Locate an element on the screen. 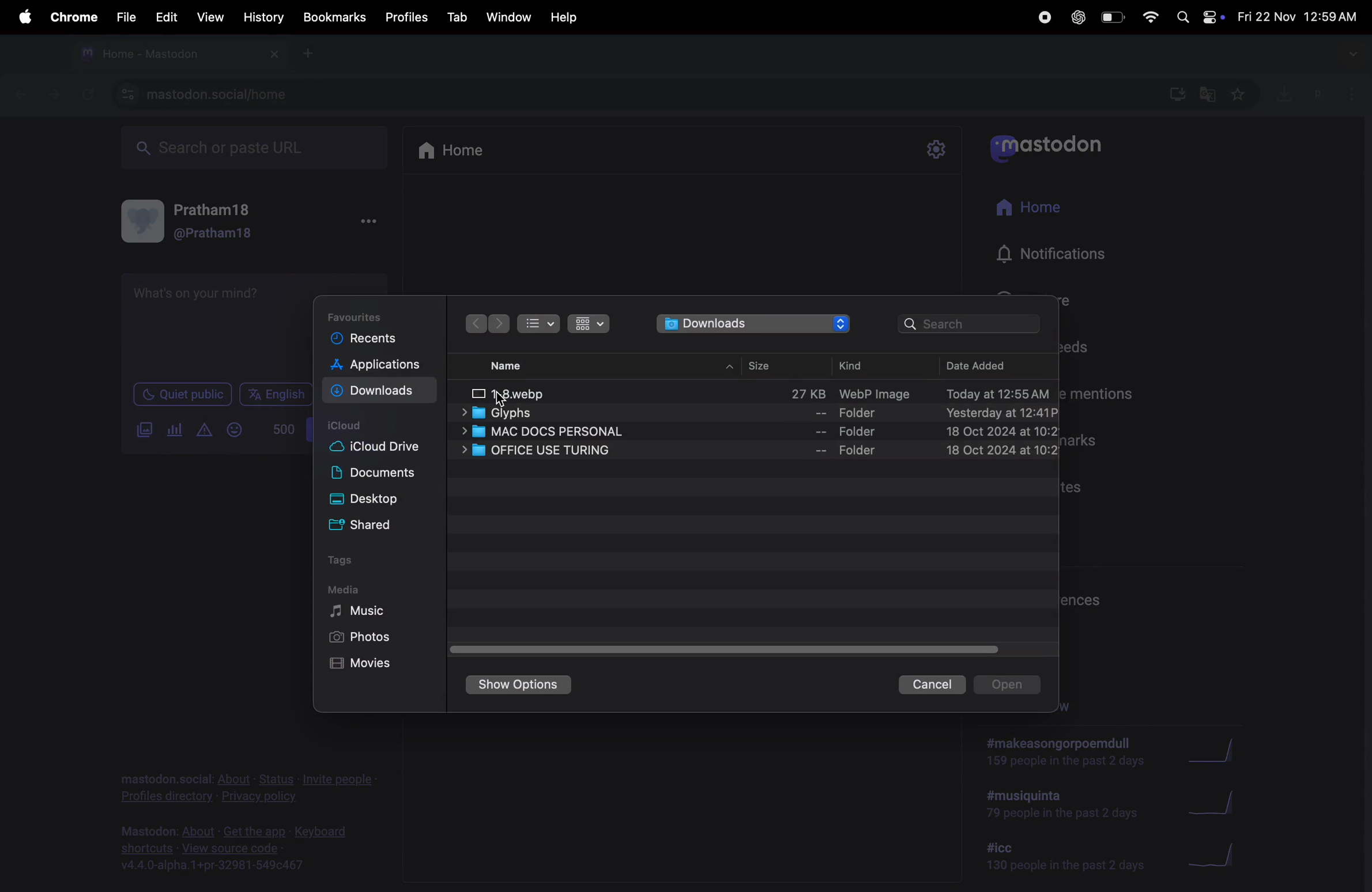  graphs is located at coordinates (1217, 752).